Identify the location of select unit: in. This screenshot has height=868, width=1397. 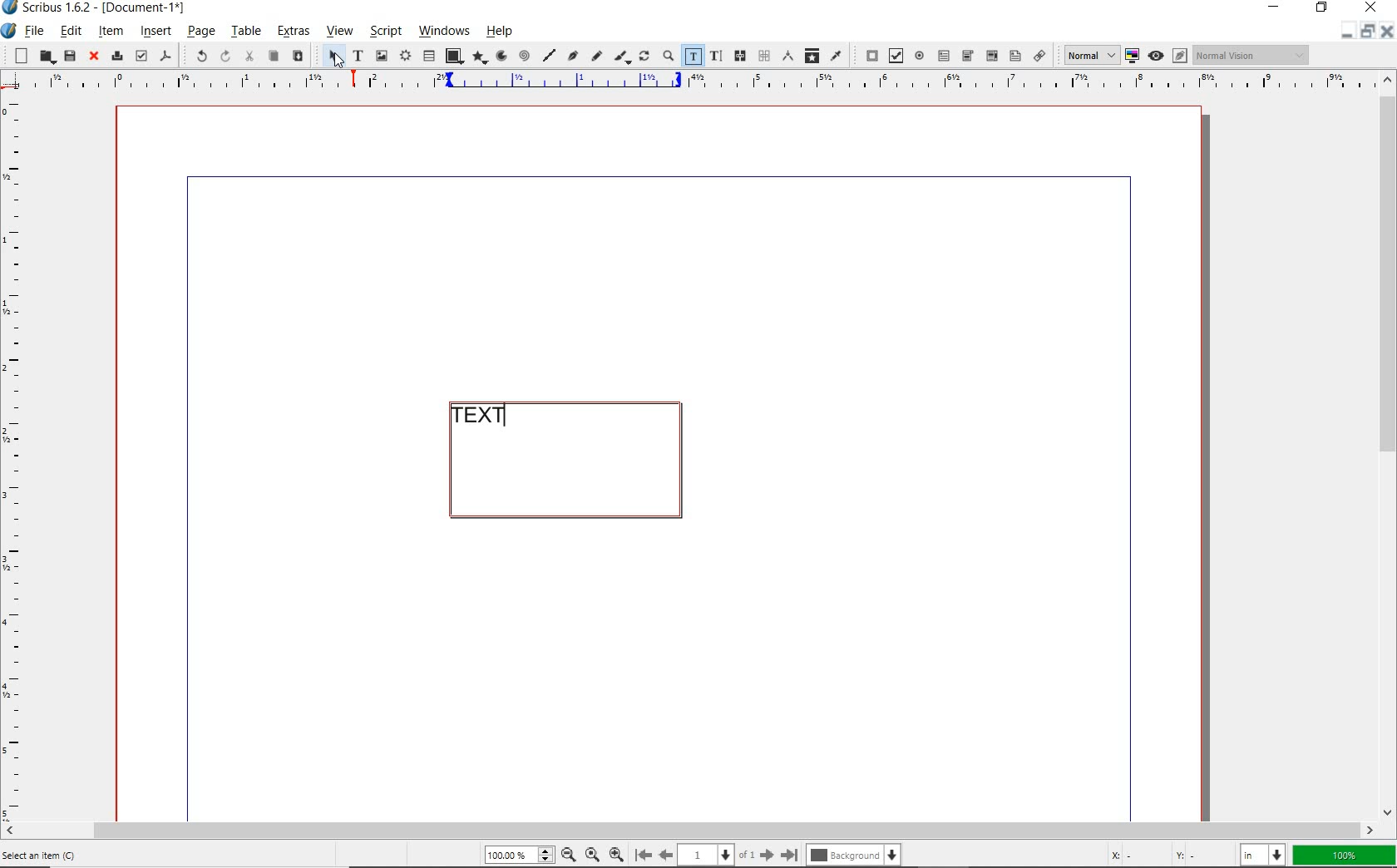
(1263, 856).